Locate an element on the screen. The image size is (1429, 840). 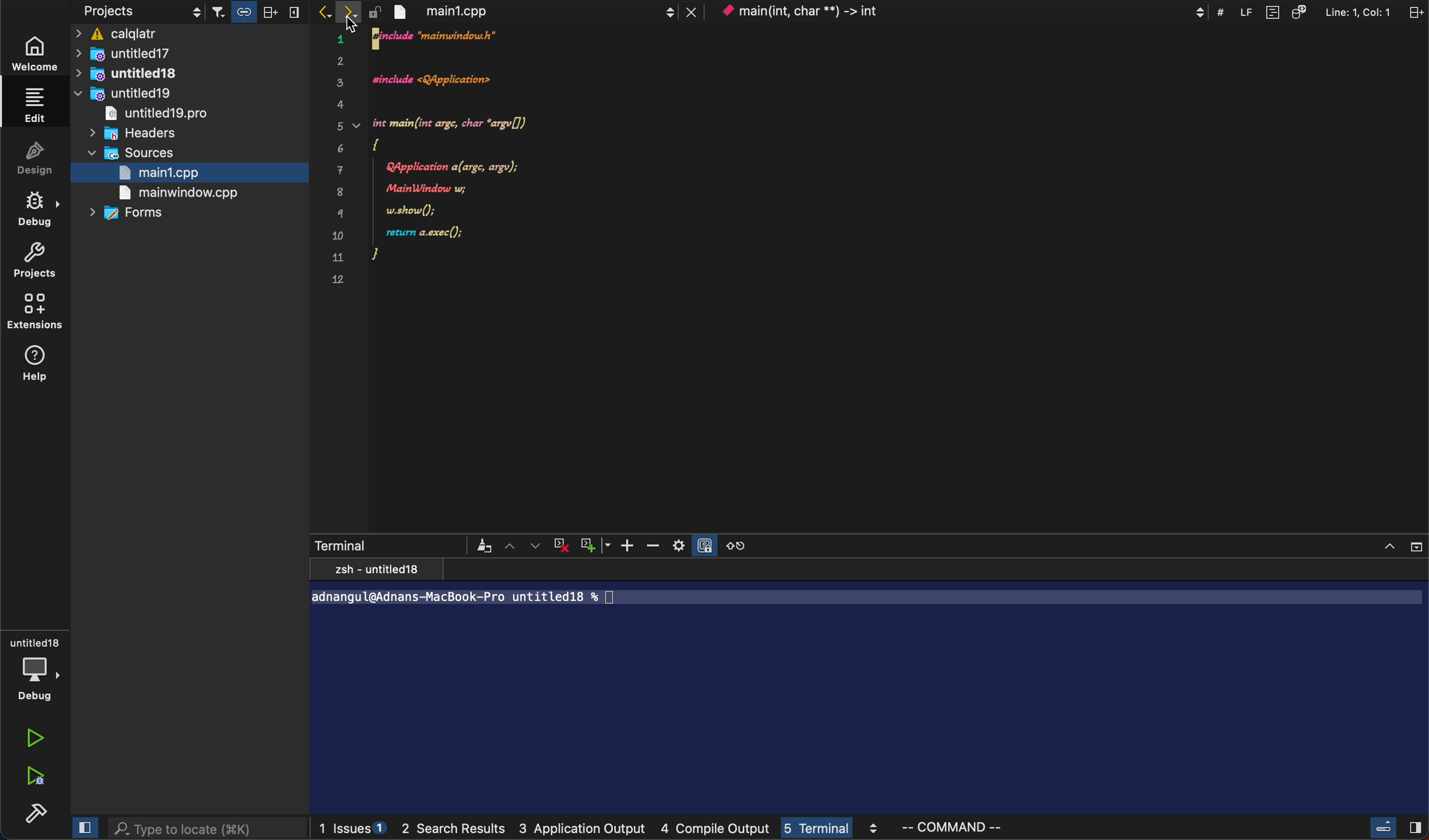
close slide bar is located at coordinates (1394, 826).